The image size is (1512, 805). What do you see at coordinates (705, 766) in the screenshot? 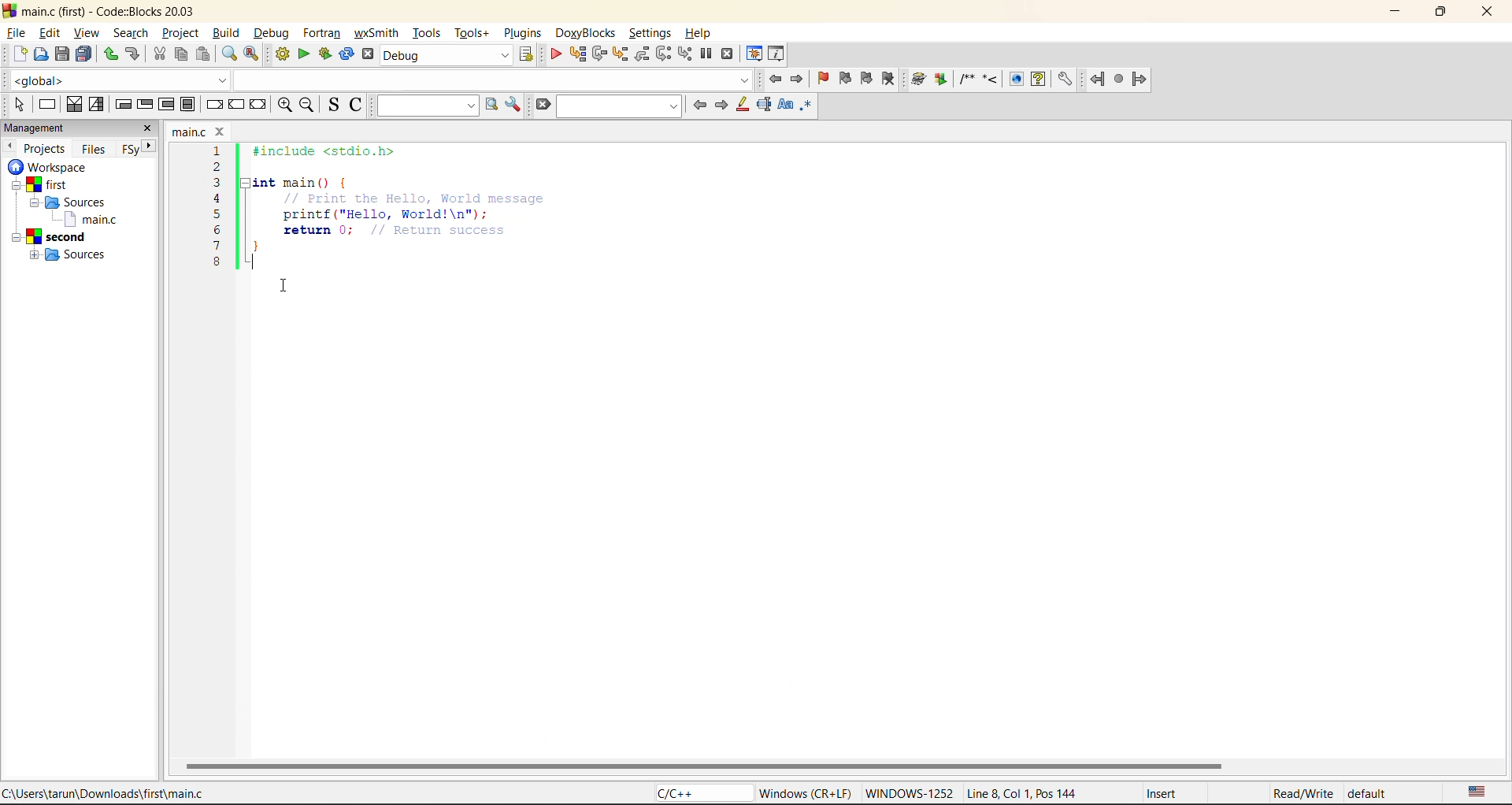
I see `horizontal scroll bar` at bounding box center [705, 766].